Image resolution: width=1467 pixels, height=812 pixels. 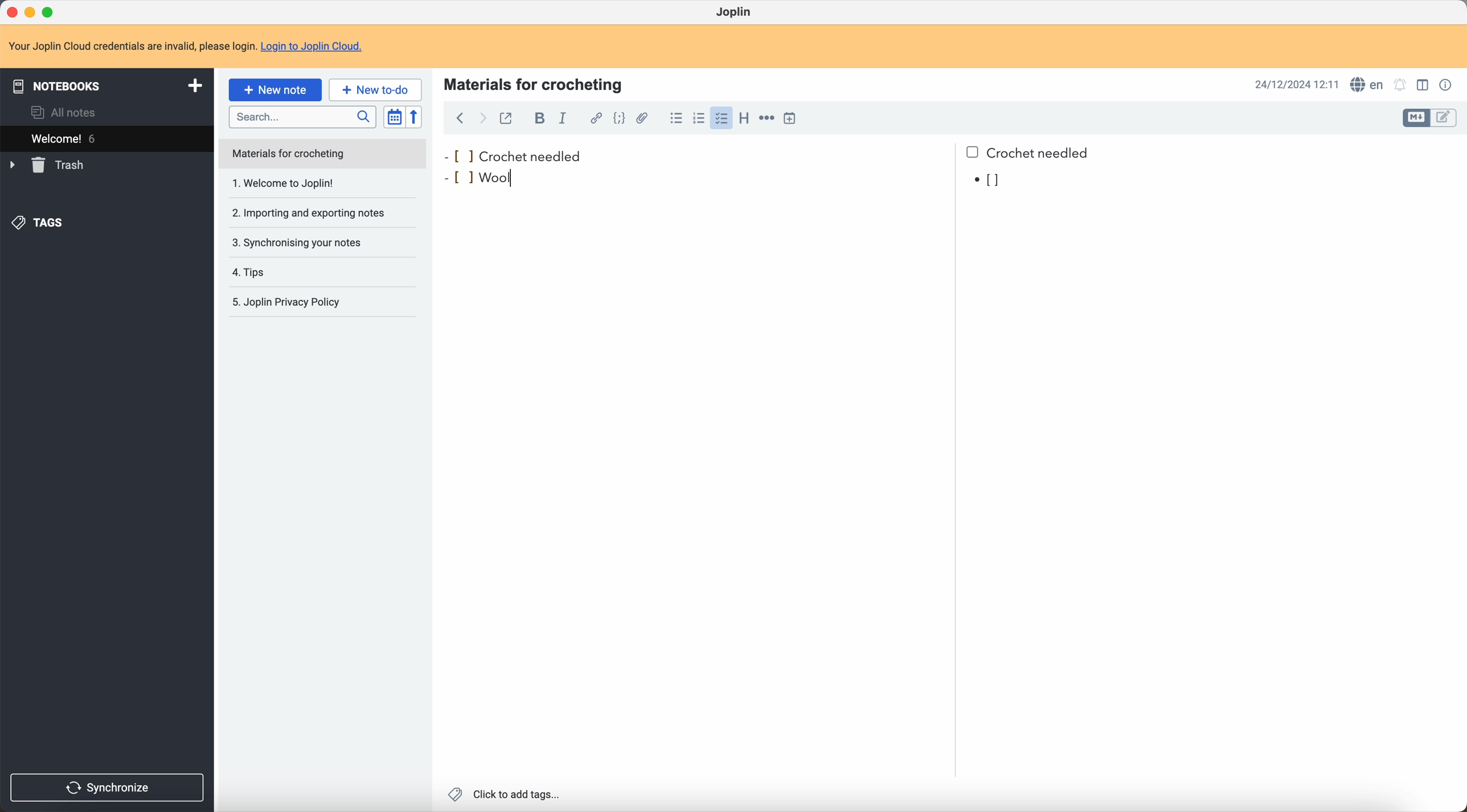 What do you see at coordinates (460, 120) in the screenshot?
I see `back` at bounding box center [460, 120].